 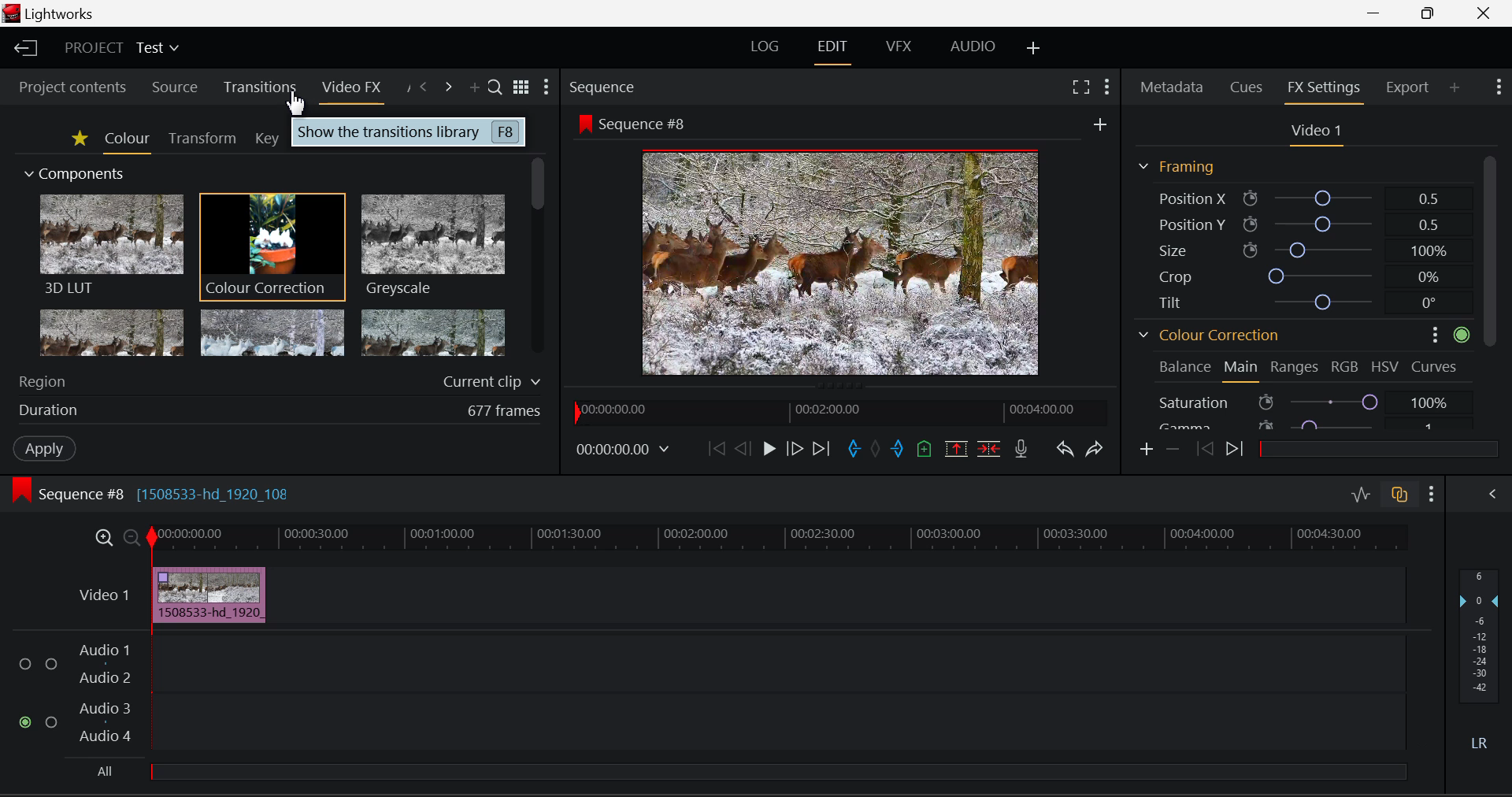 What do you see at coordinates (776, 662) in the screenshot?
I see `Audio Input Field` at bounding box center [776, 662].